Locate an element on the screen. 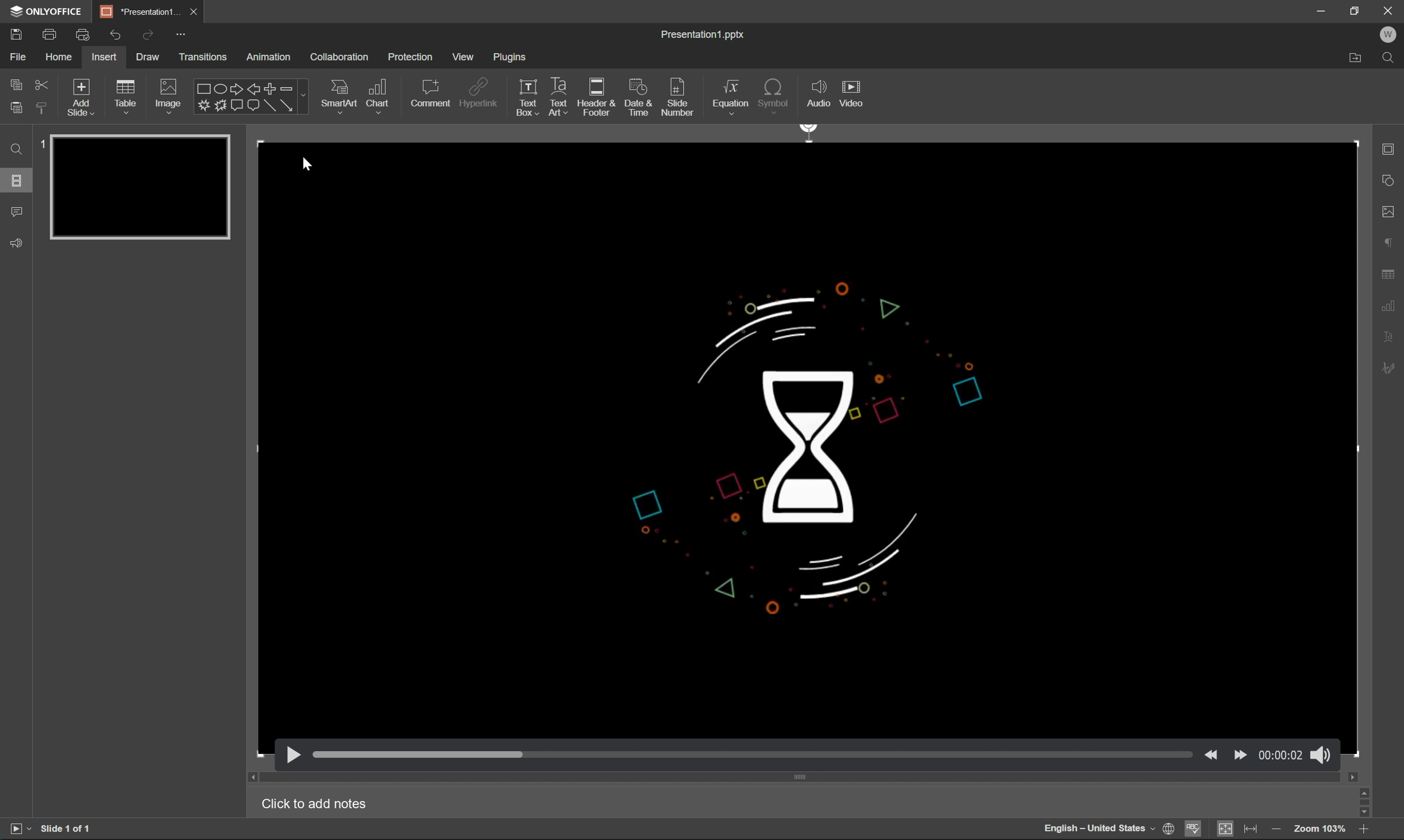 The width and height of the screenshot is (1404, 840). slide settings is located at coordinates (1391, 147).